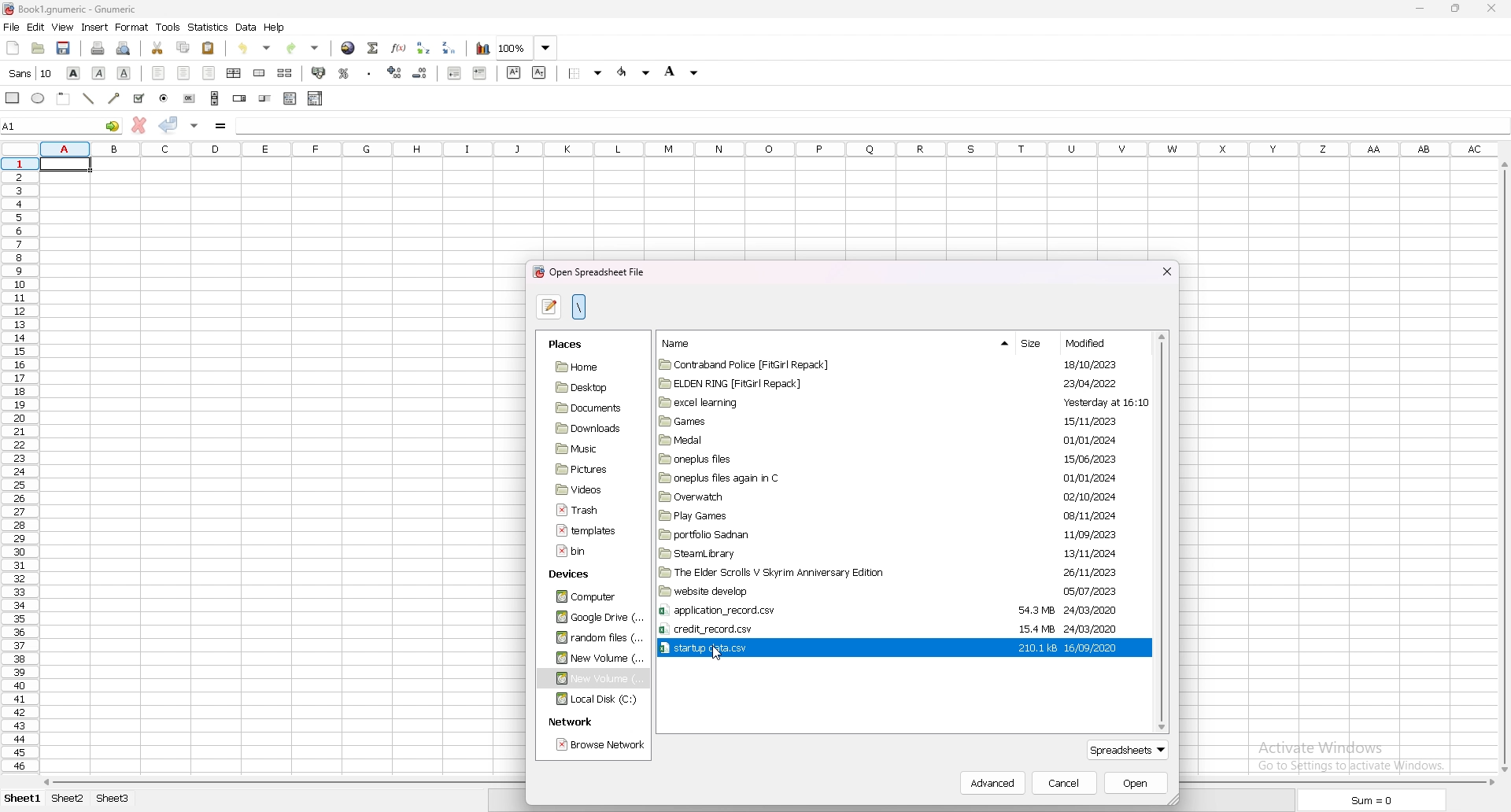 This screenshot has height=812, width=1511. I want to click on 54.3 MB, so click(1032, 610).